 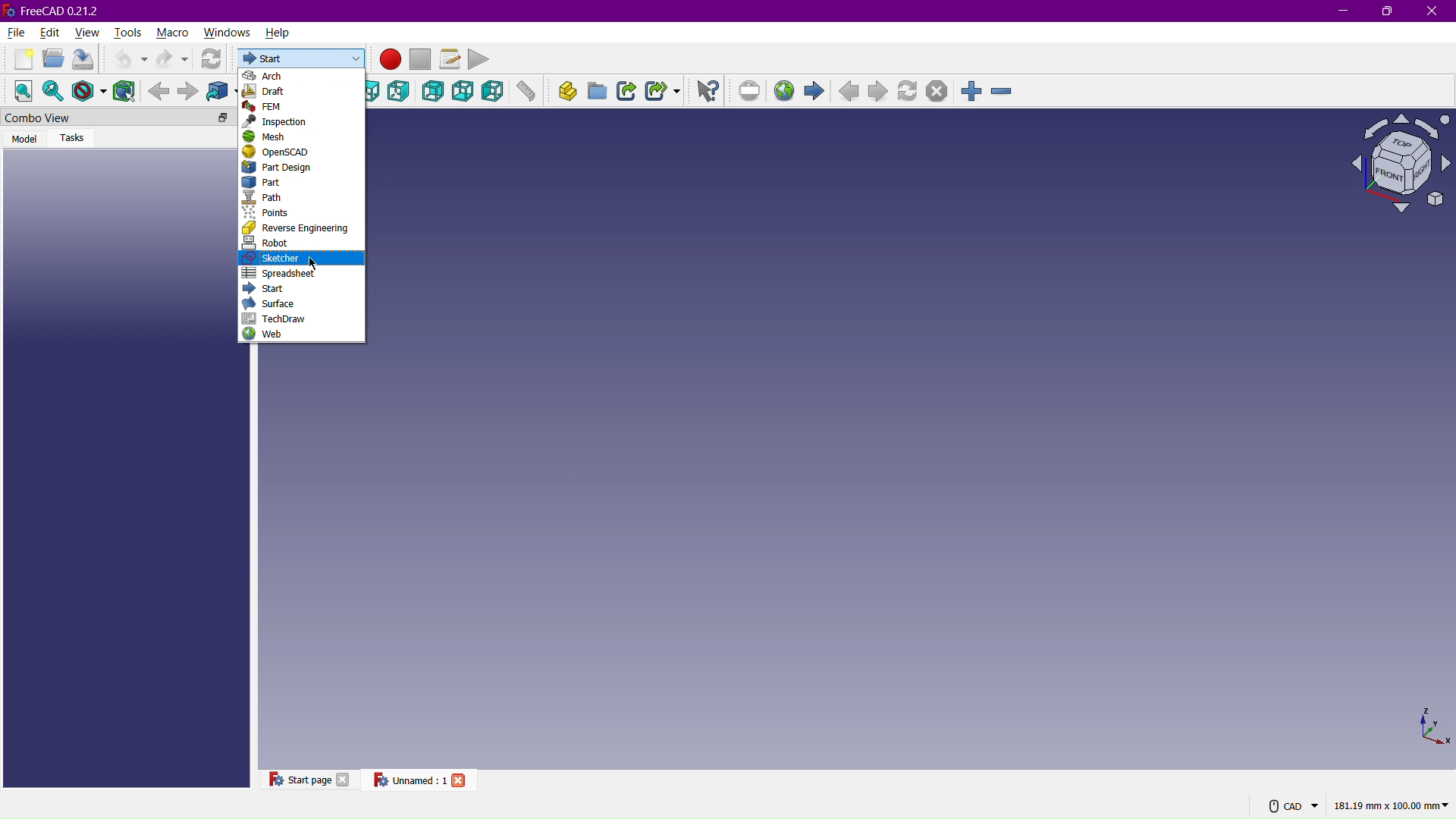 What do you see at coordinates (126, 30) in the screenshot?
I see `Tools` at bounding box center [126, 30].